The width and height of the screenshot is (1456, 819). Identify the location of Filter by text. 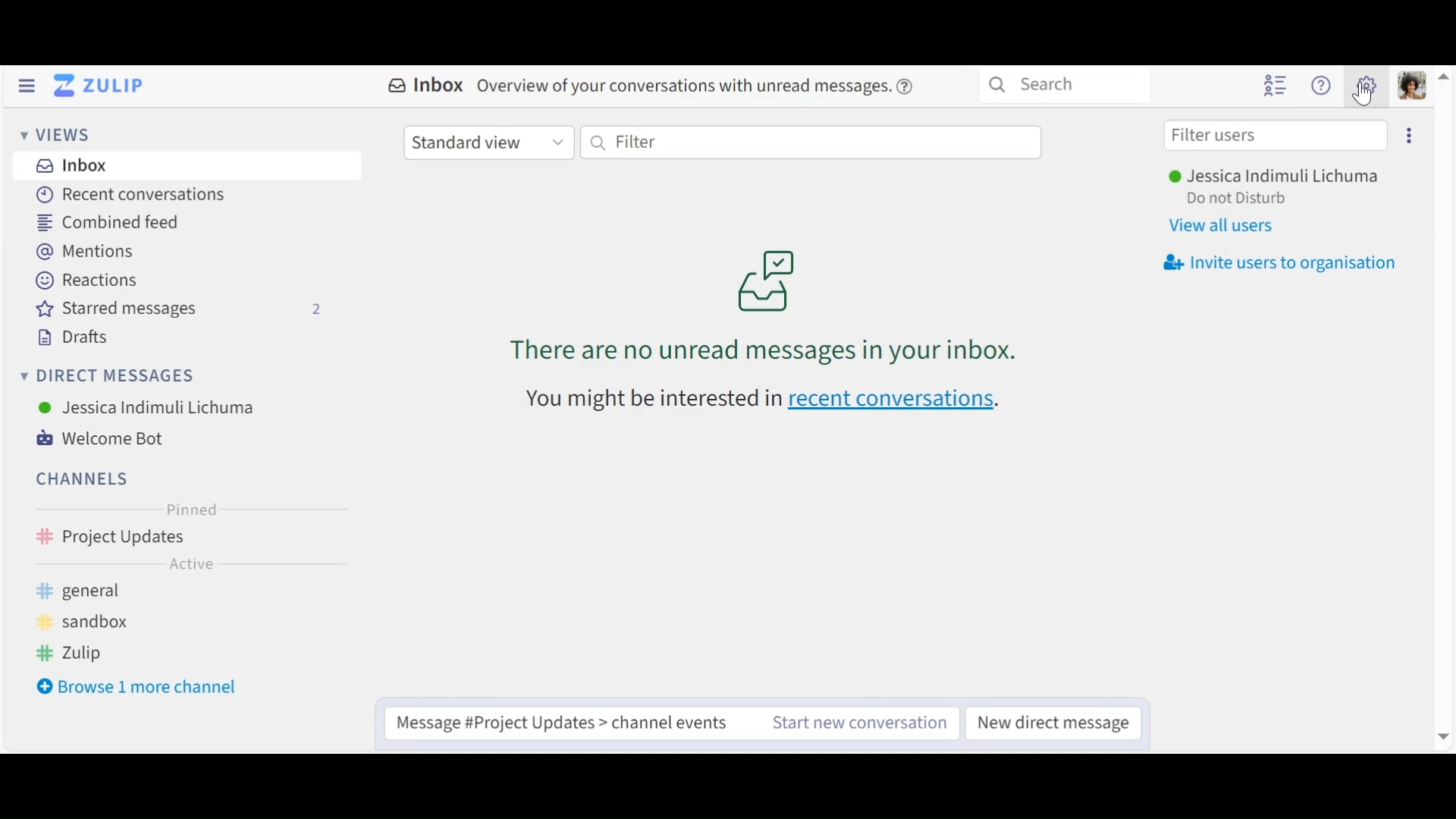
(809, 143).